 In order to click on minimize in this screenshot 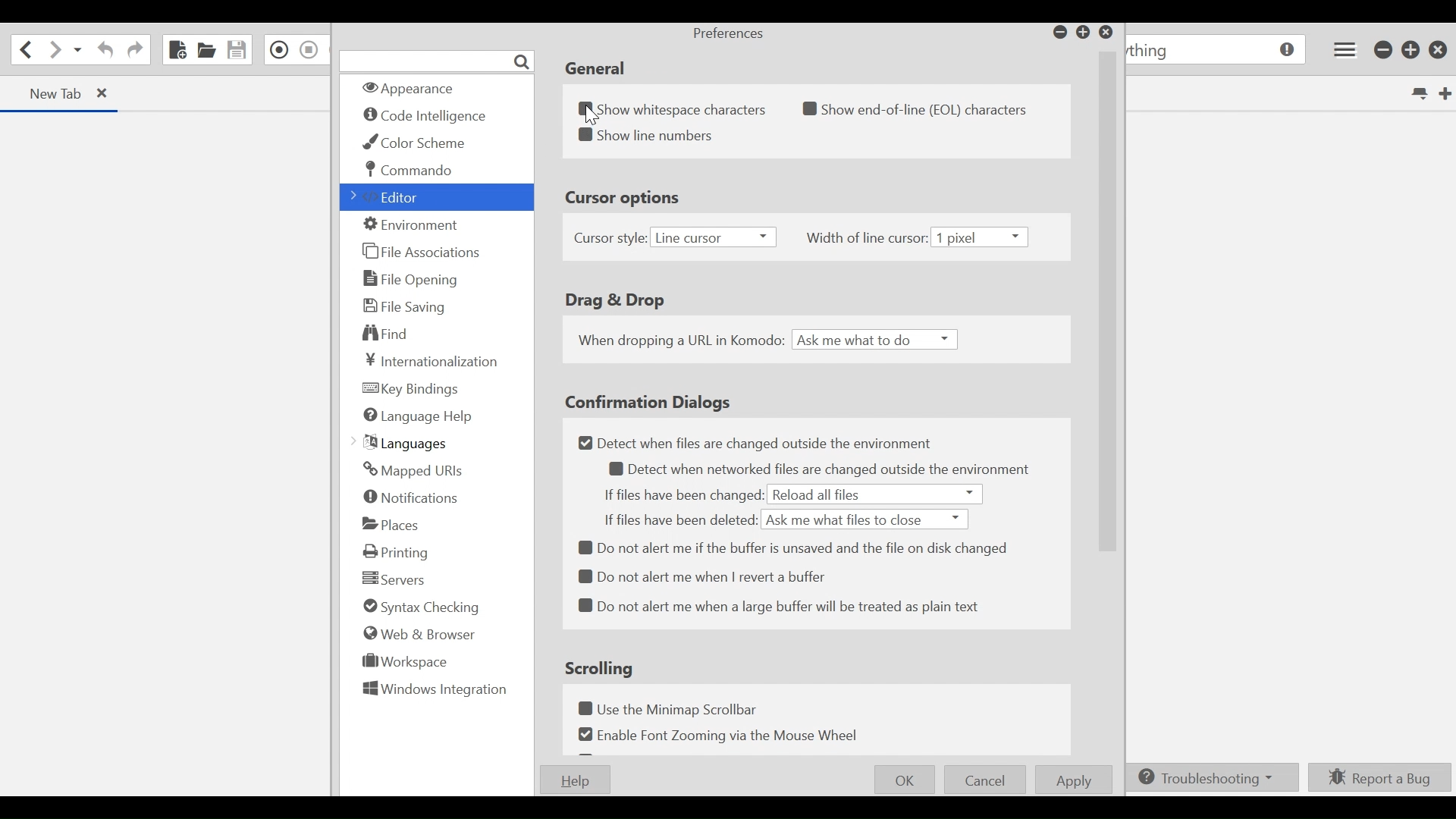, I will do `click(1059, 32)`.